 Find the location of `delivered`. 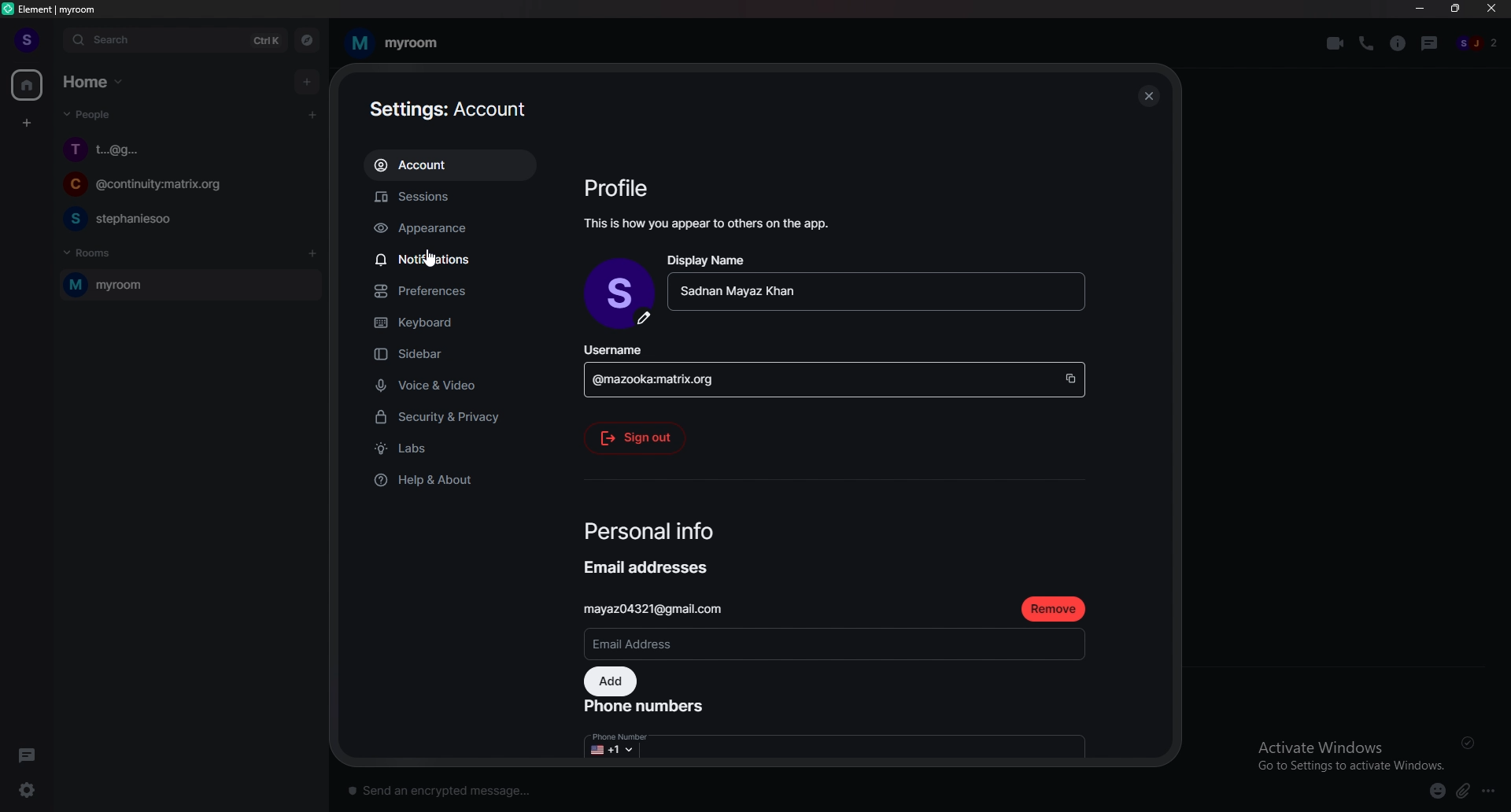

delivered is located at coordinates (1469, 742).